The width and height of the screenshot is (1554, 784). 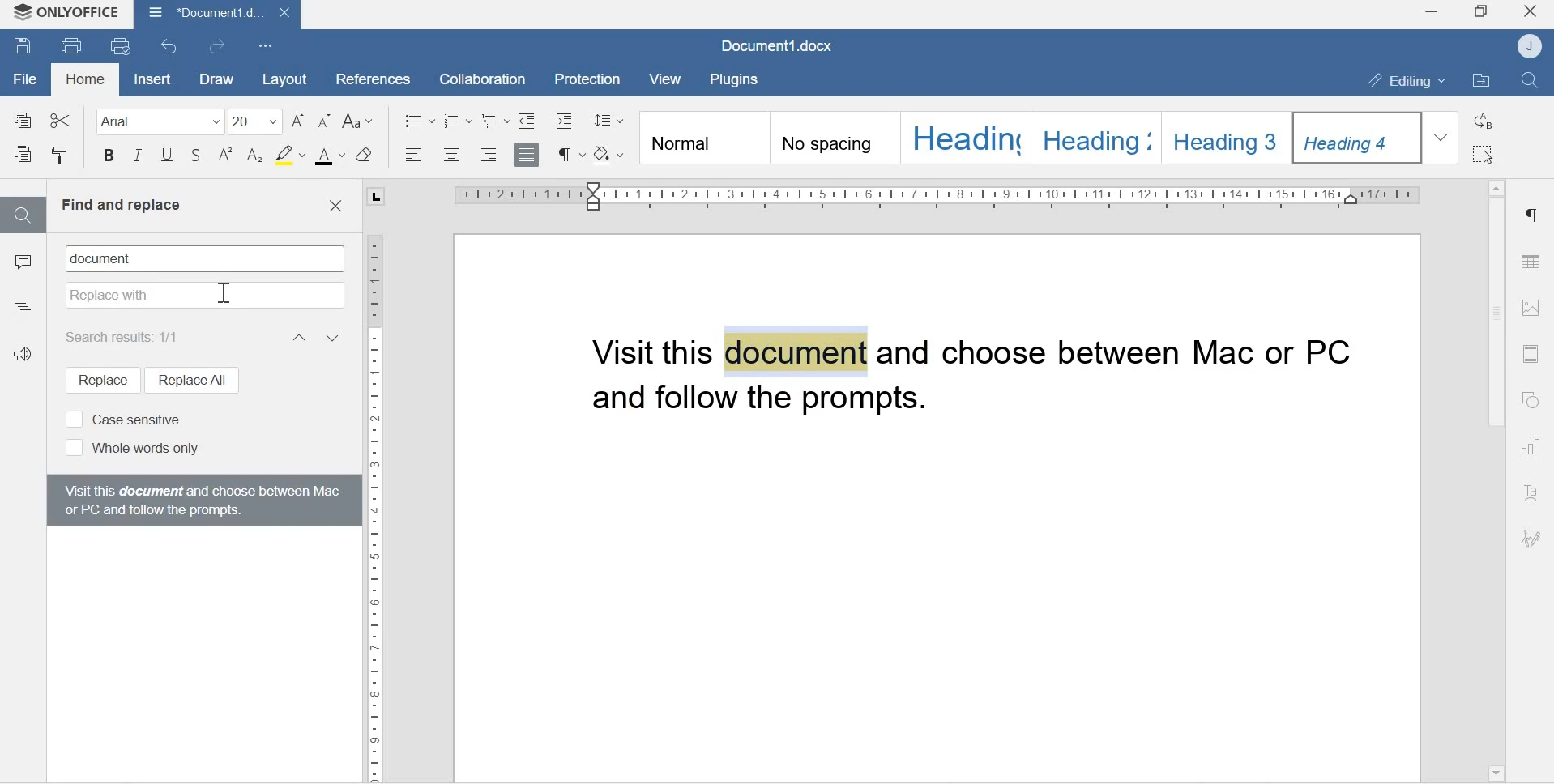 I want to click on Table, so click(x=1531, y=258).